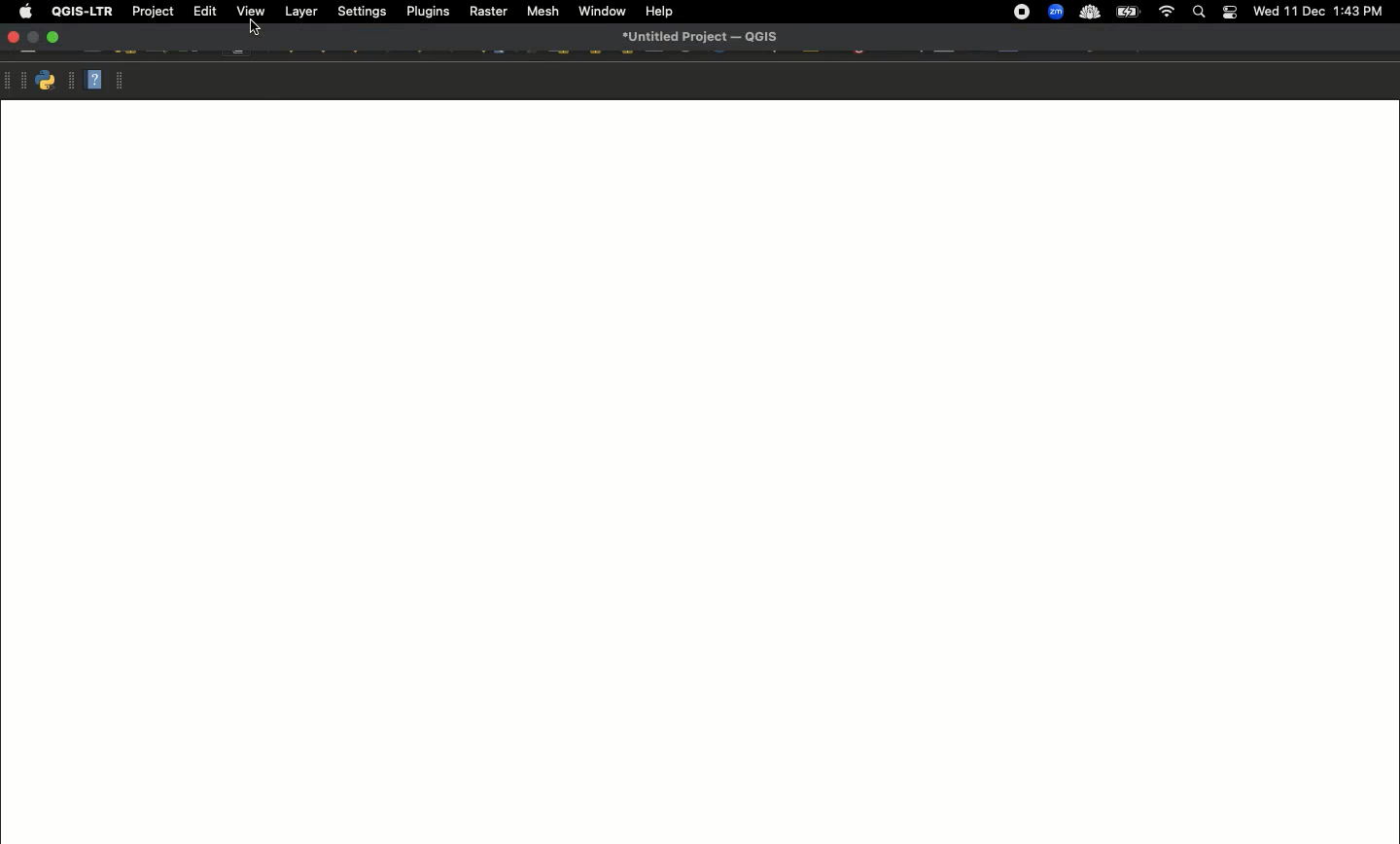  What do you see at coordinates (24, 80) in the screenshot?
I see `` at bounding box center [24, 80].